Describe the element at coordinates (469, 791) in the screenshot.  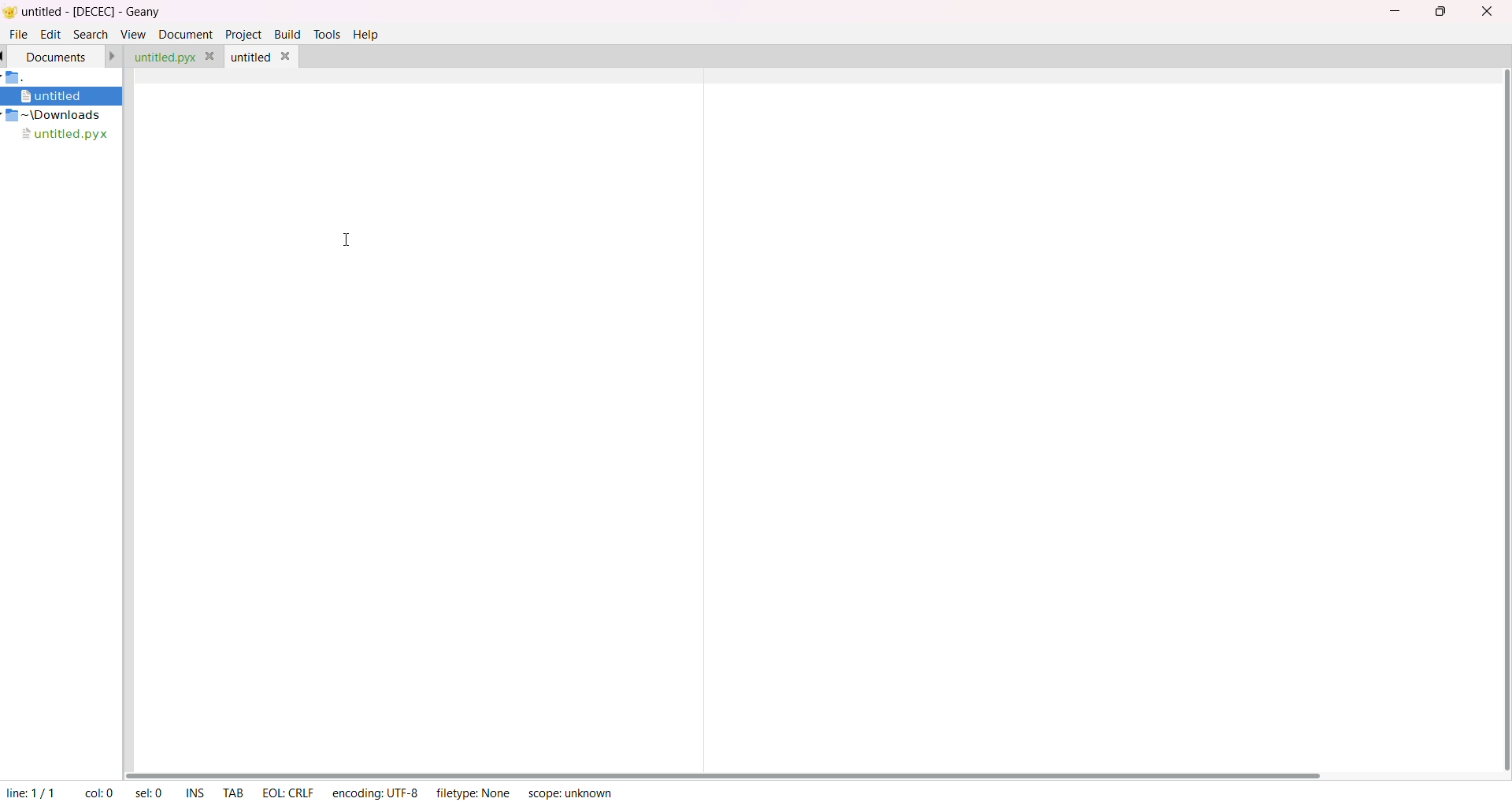
I see `filetype: None` at that location.